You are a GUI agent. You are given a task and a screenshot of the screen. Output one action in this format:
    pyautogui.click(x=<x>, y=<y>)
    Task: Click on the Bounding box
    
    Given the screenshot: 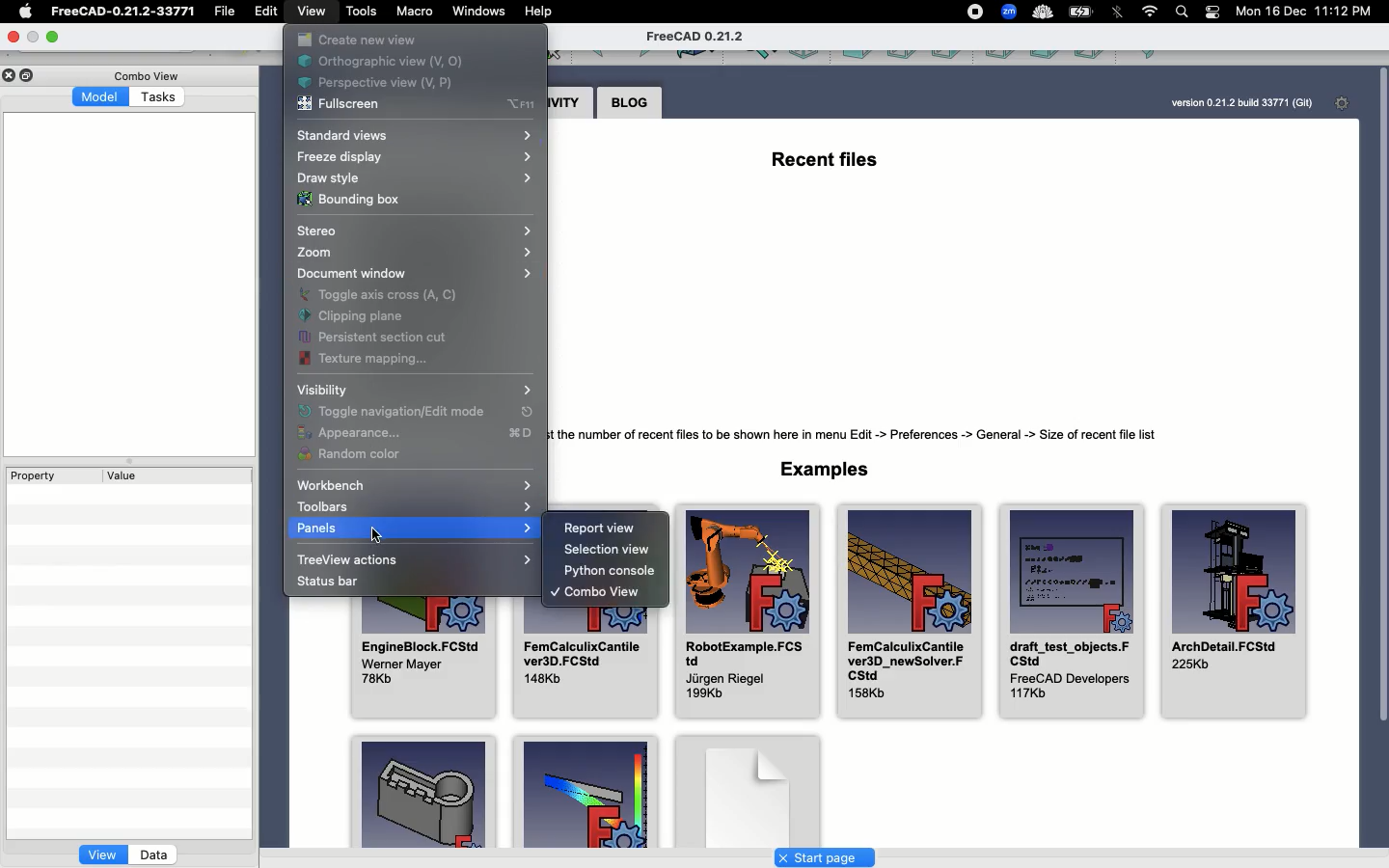 What is the action you would take?
    pyautogui.click(x=349, y=200)
    